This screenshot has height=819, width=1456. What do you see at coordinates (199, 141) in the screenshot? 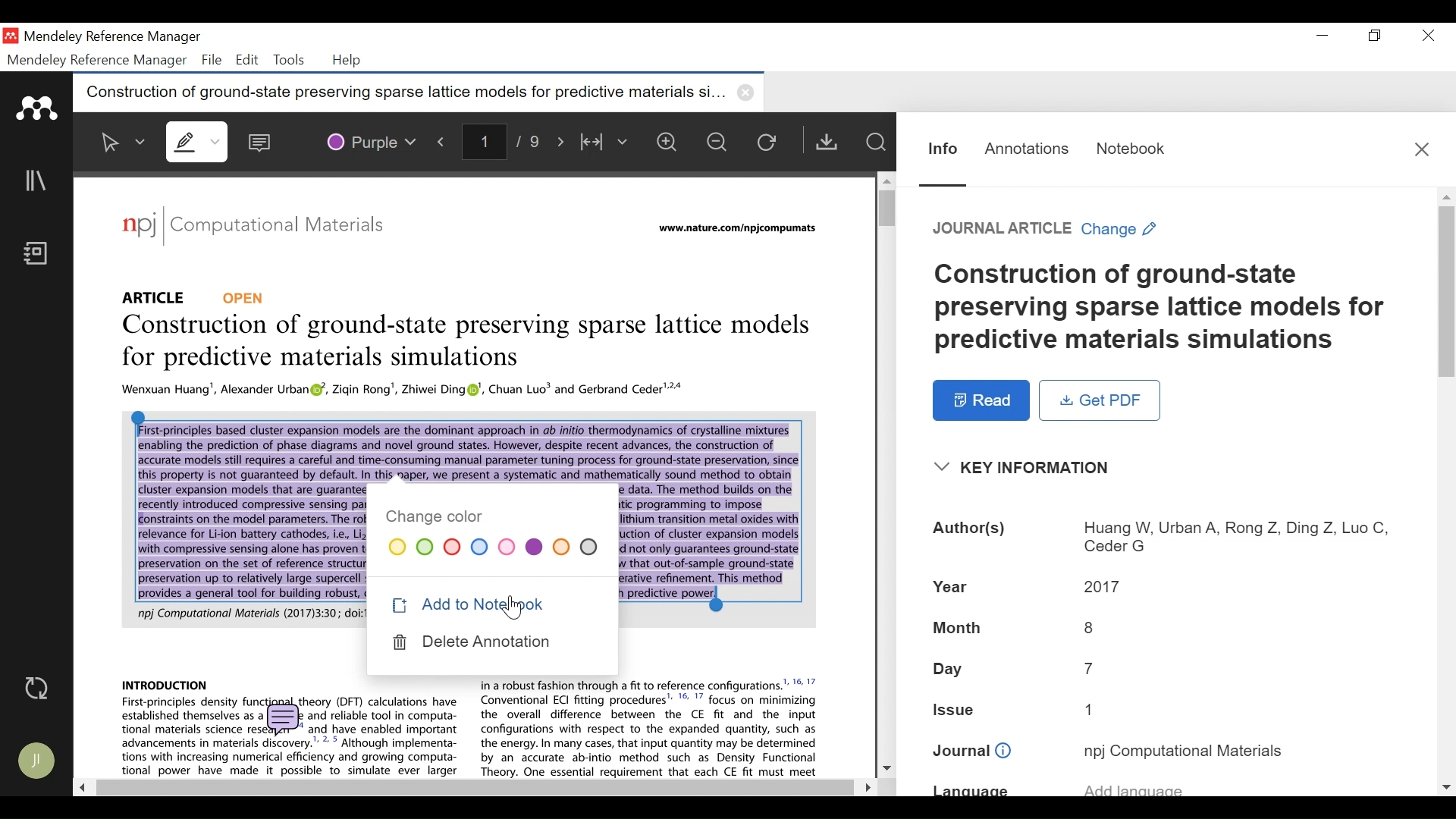
I see `Highlights` at bounding box center [199, 141].